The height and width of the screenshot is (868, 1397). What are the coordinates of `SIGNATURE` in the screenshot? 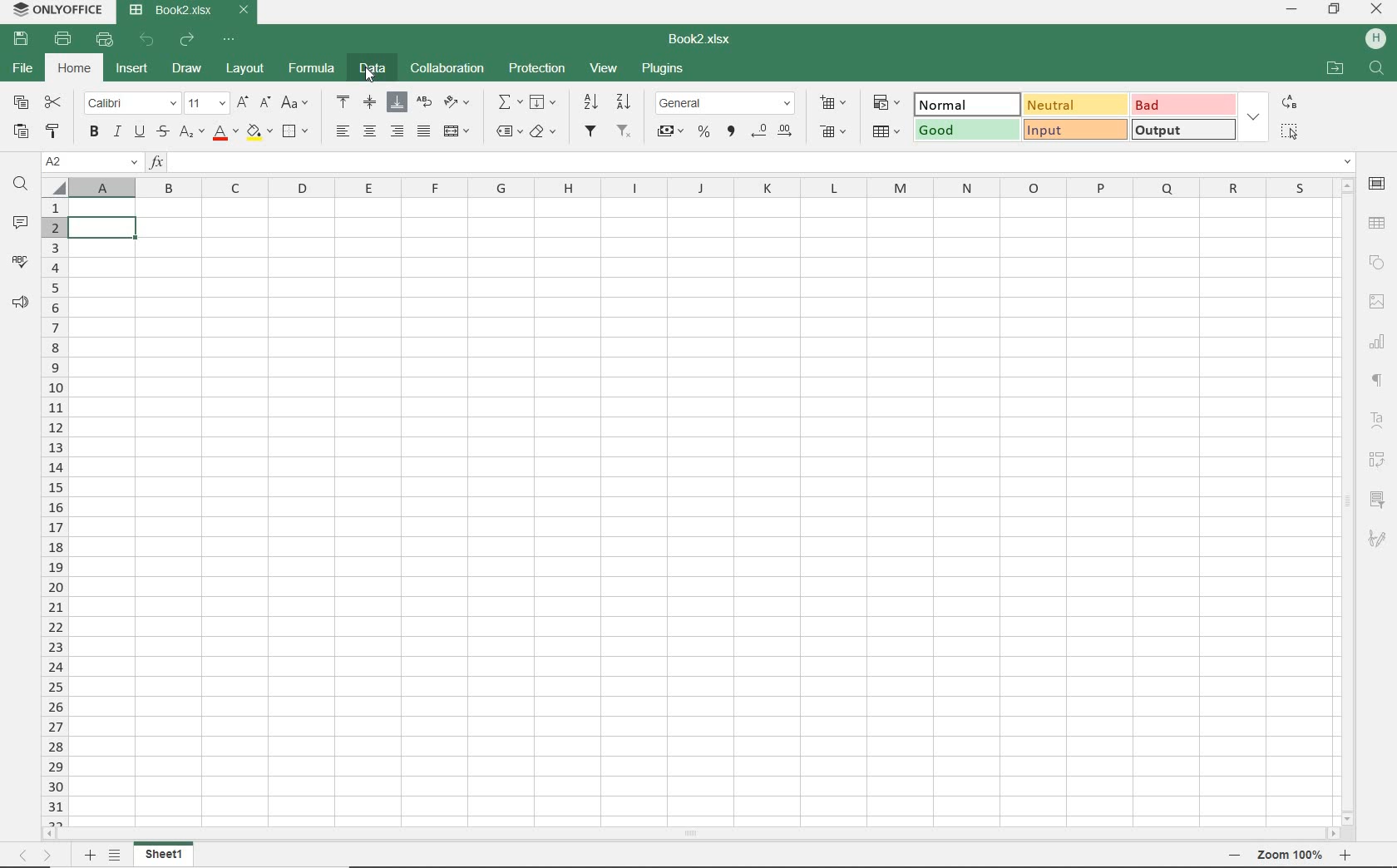 It's located at (1376, 538).